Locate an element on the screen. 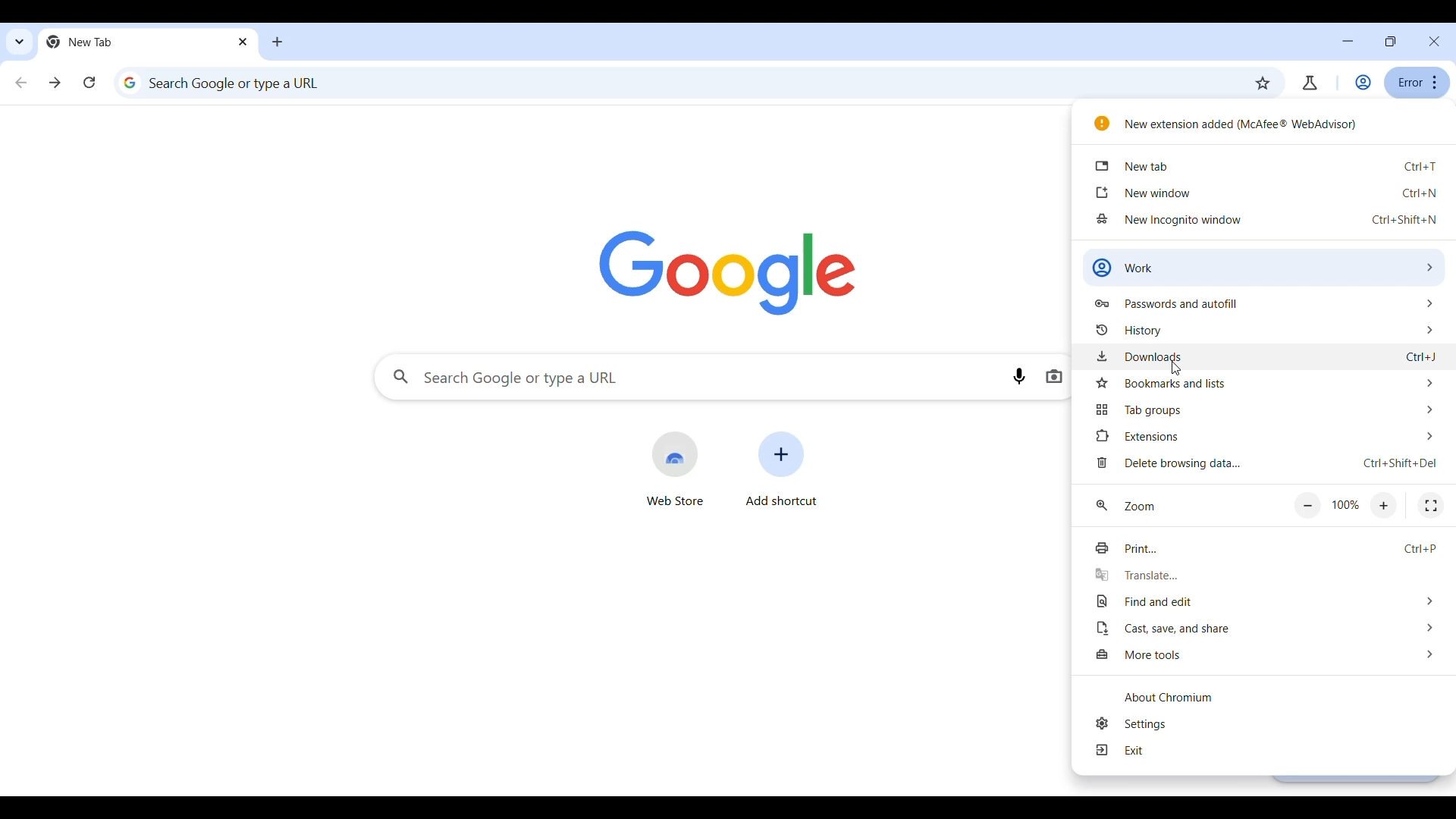 The width and height of the screenshot is (1456, 819). Chrome labs is located at coordinates (1310, 83).